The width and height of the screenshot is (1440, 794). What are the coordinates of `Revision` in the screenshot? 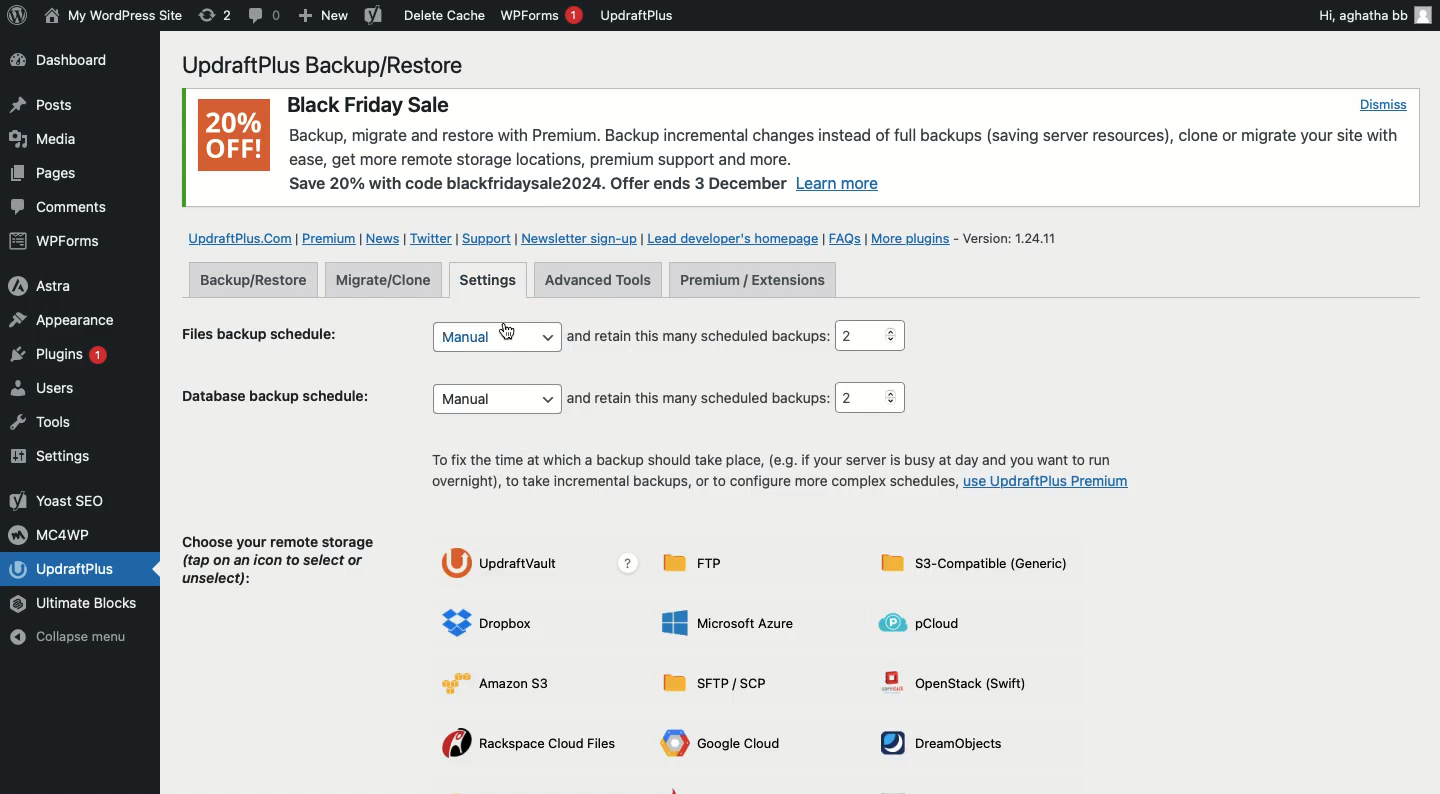 It's located at (215, 15).